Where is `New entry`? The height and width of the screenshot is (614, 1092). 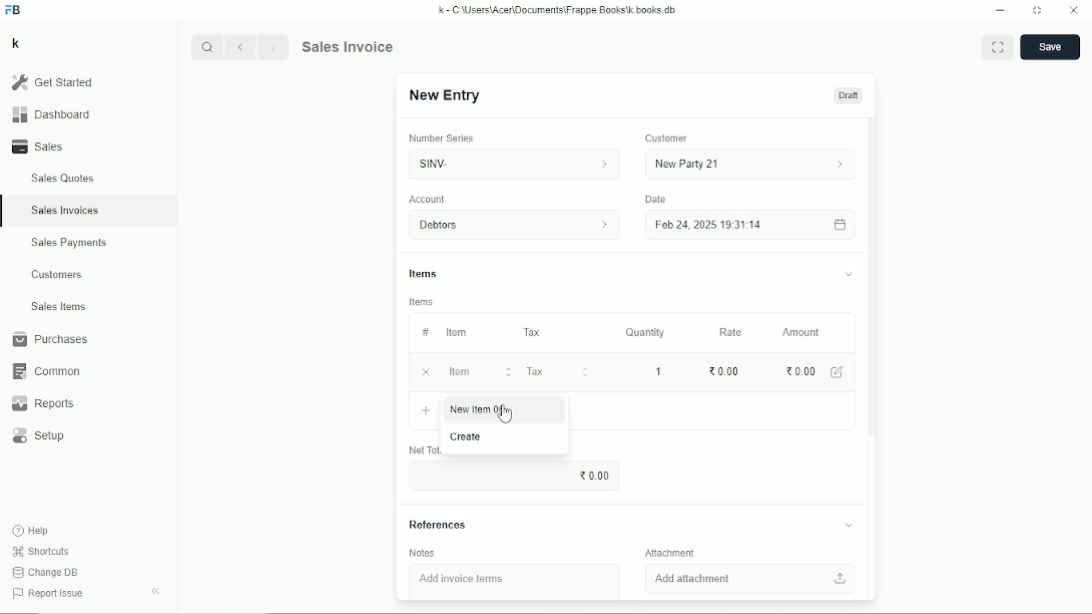
New entry is located at coordinates (445, 96).